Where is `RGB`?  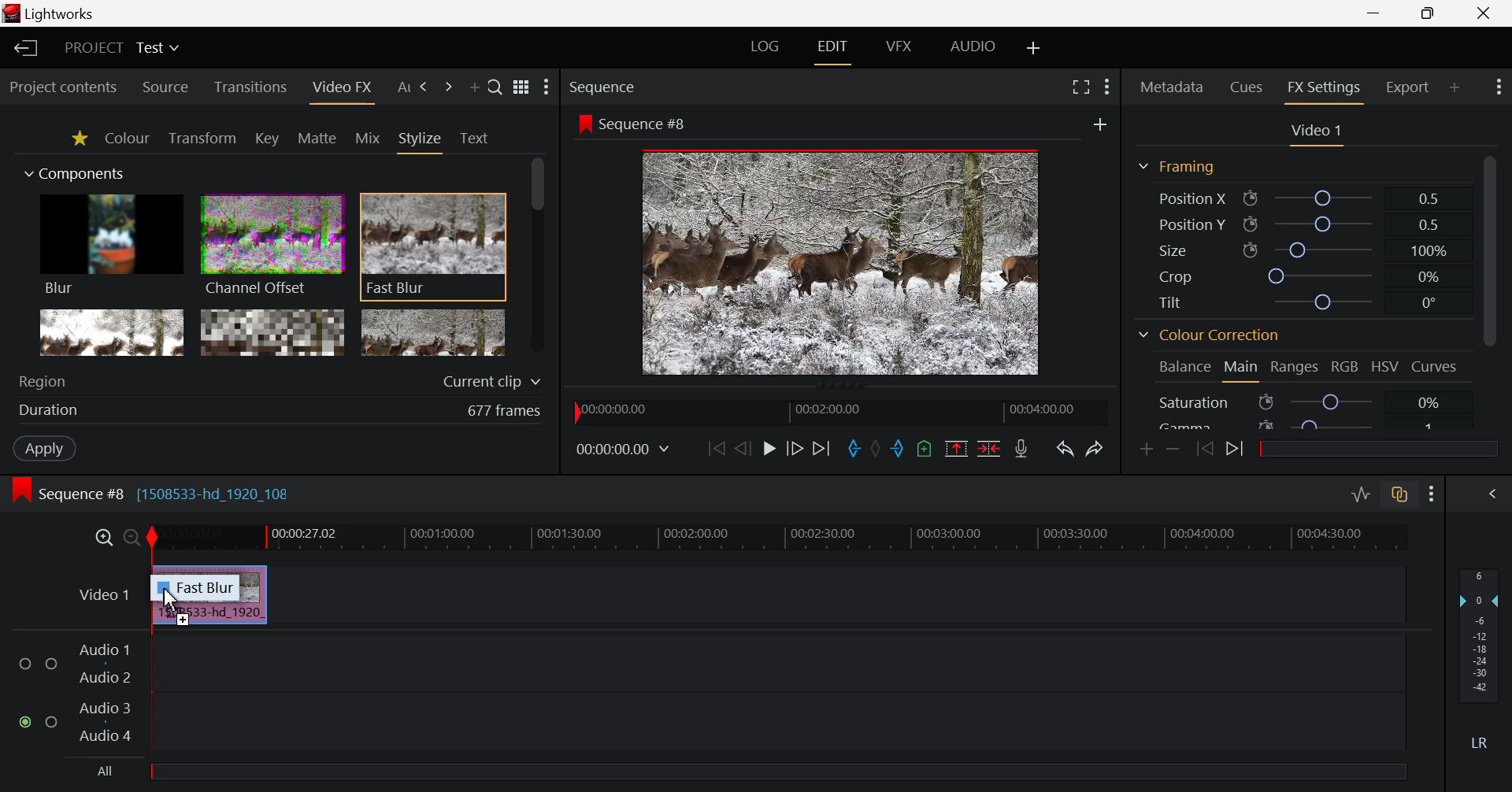
RGB is located at coordinates (1345, 367).